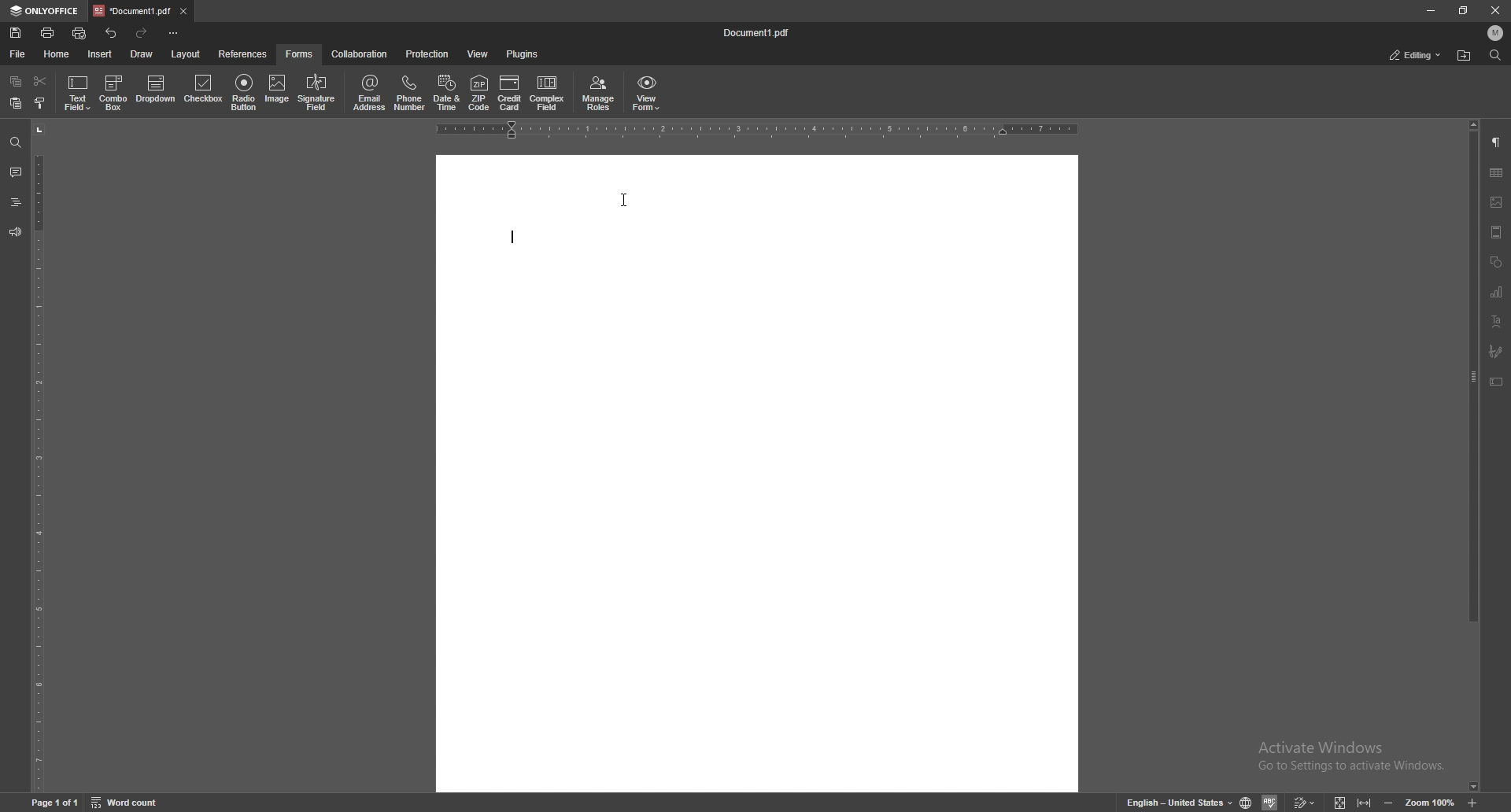  What do you see at coordinates (111, 33) in the screenshot?
I see `undo` at bounding box center [111, 33].